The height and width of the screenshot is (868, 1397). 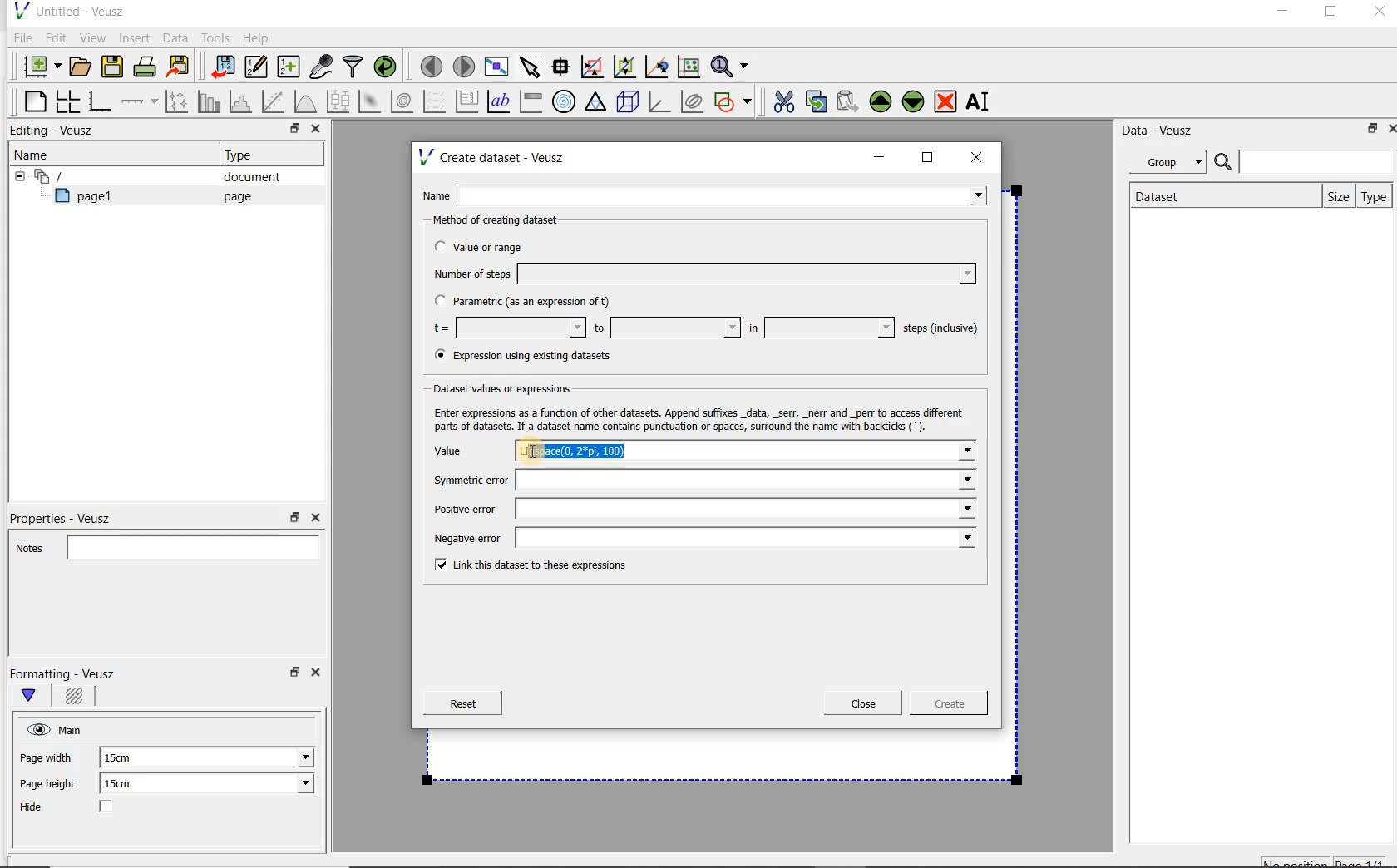 I want to click on Close, so click(x=314, y=518).